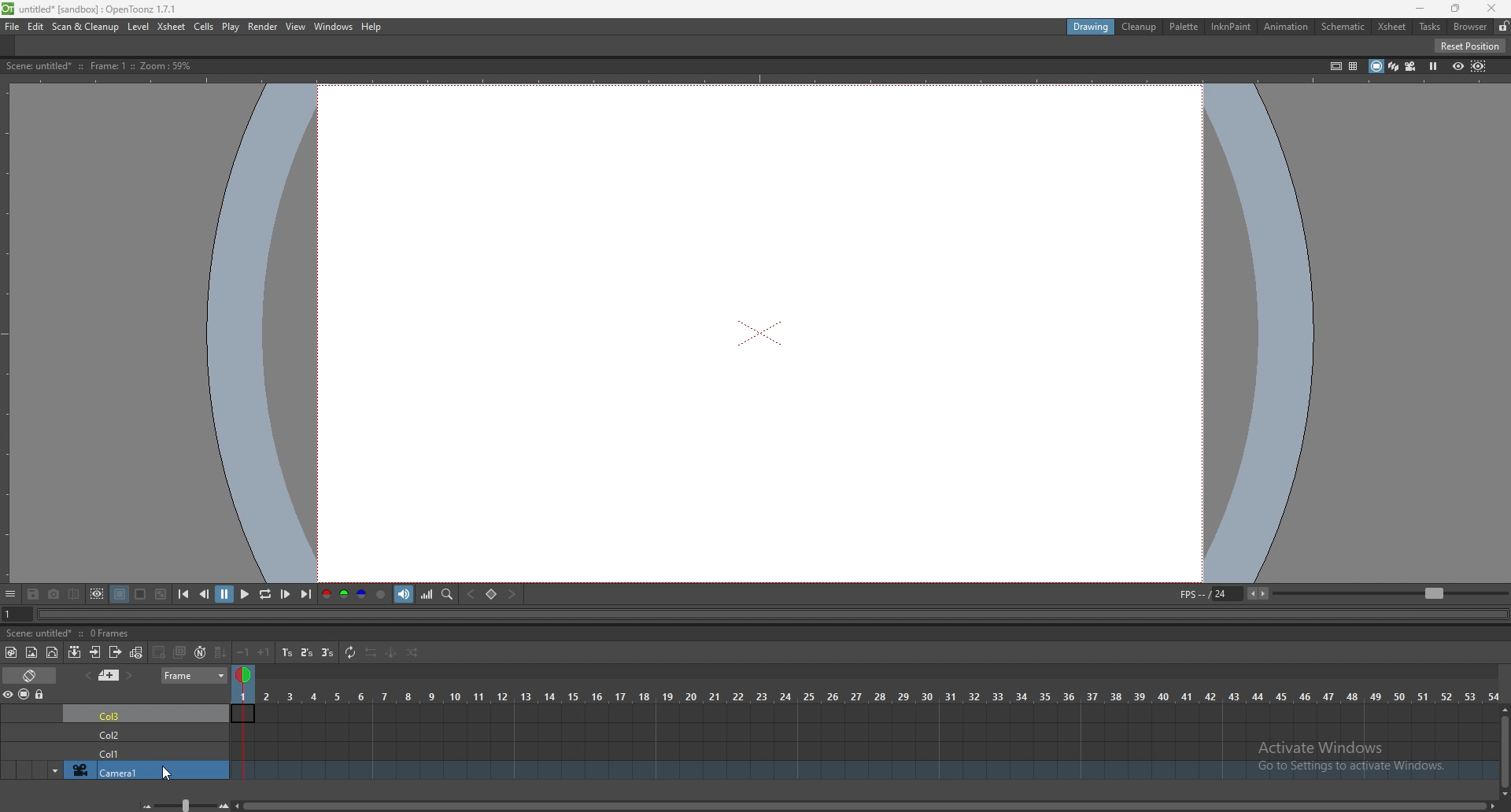 The image size is (1511, 812). What do you see at coordinates (139, 651) in the screenshot?
I see `toggle edit in place` at bounding box center [139, 651].